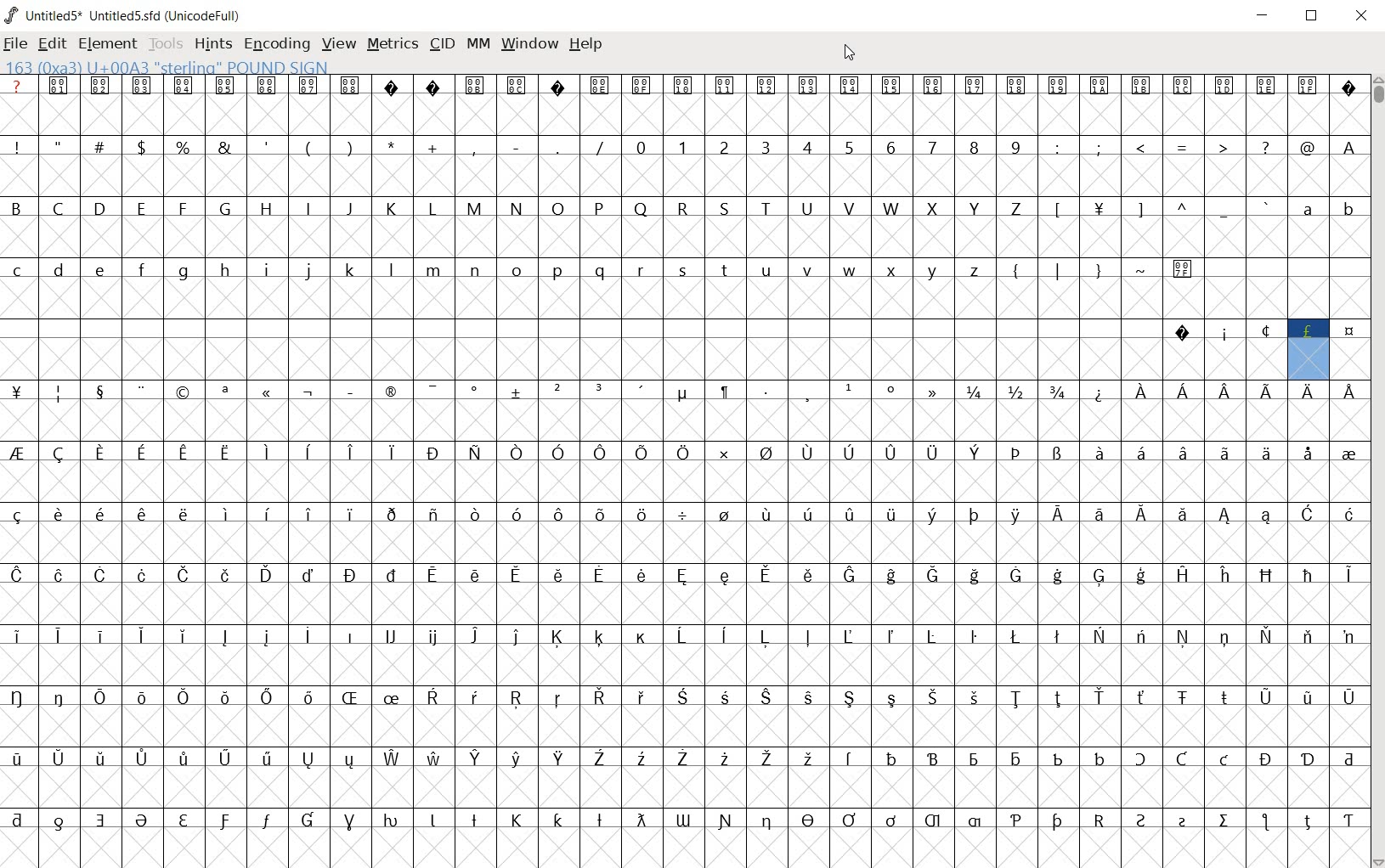  What do you see at coordinates (164, 45) in the screenshot?
I see `TOOLS` at bounding box center [164, 45].